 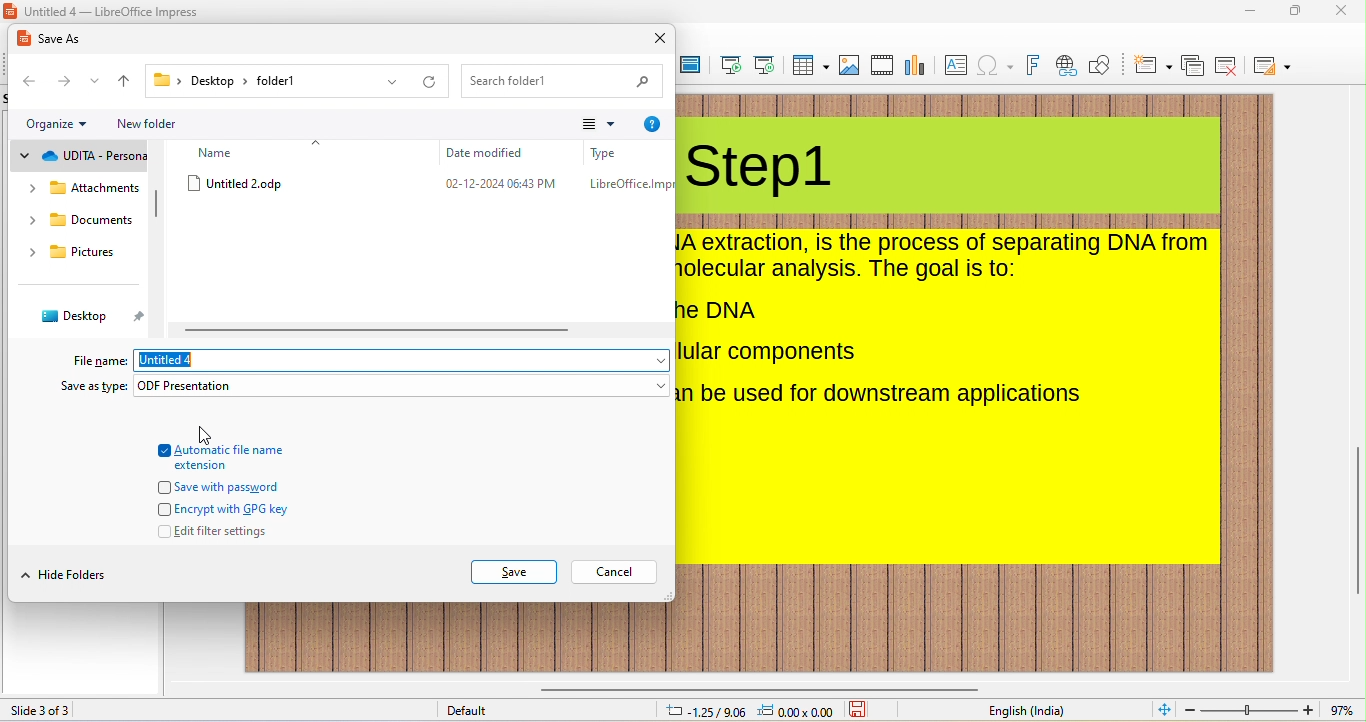 What do you see at coordinates (1356, 513) in the screenshot?
I see `vertical scroll` at bounding box center [1356, 513].